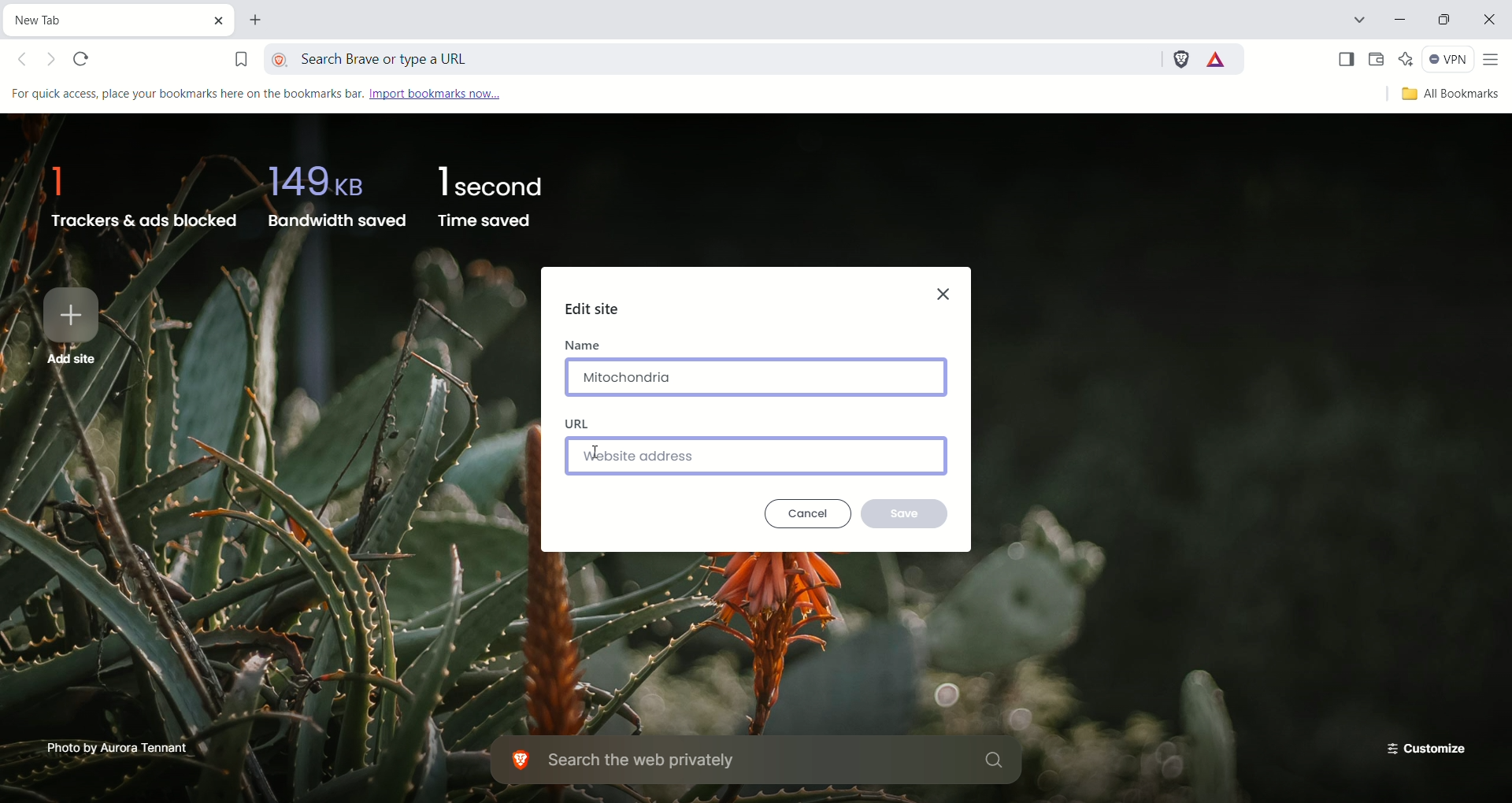  Describe the element at coordinates (84, 60) in the screenshot. I see `reload this page` at that location.